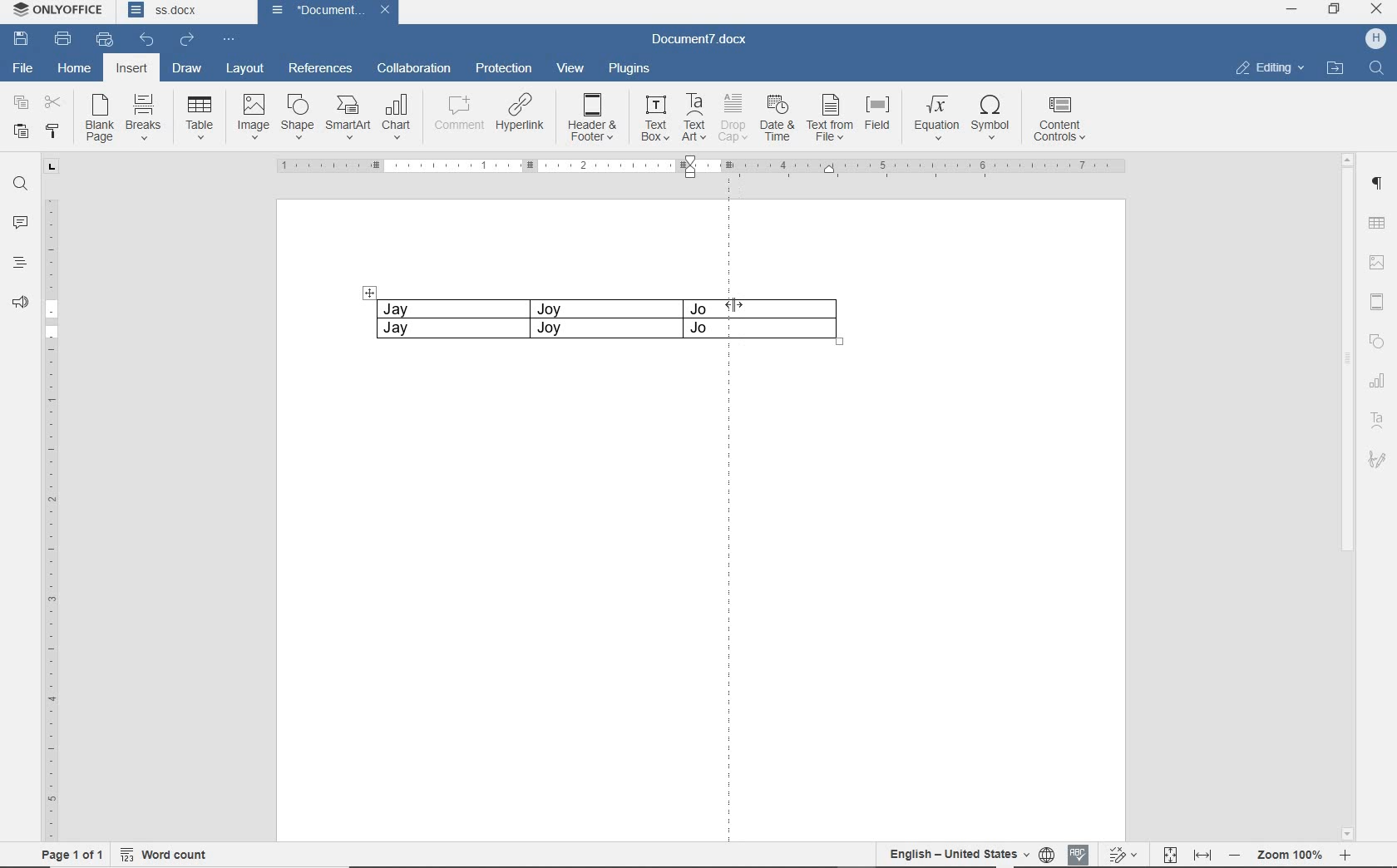  What do you see at coordinates (1291, 9) in the screenshot?
I see `MINIMIZE` at bounding box center [1291, 9].